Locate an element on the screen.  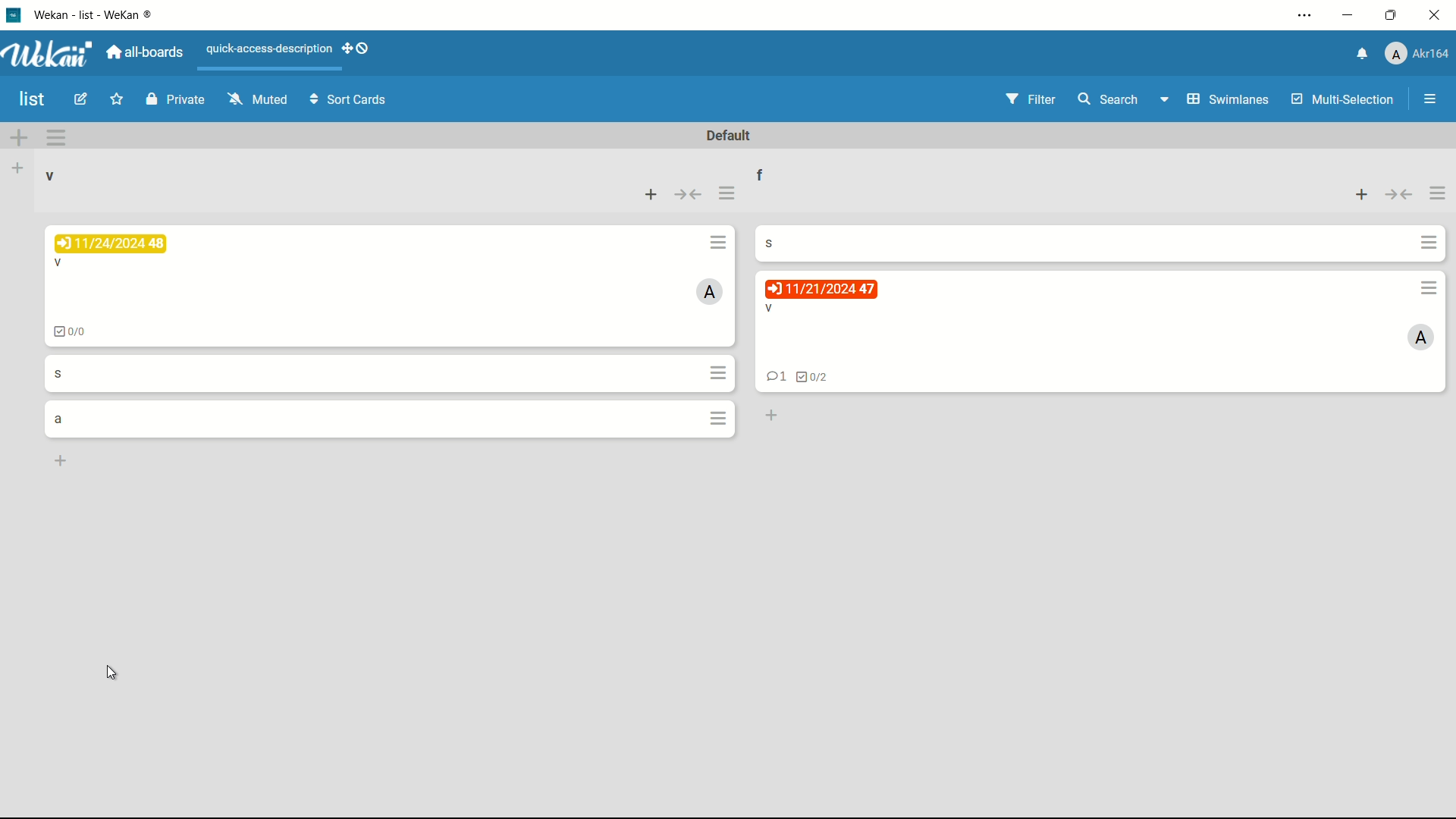
add swimlane is located at coordinates (20, 136).